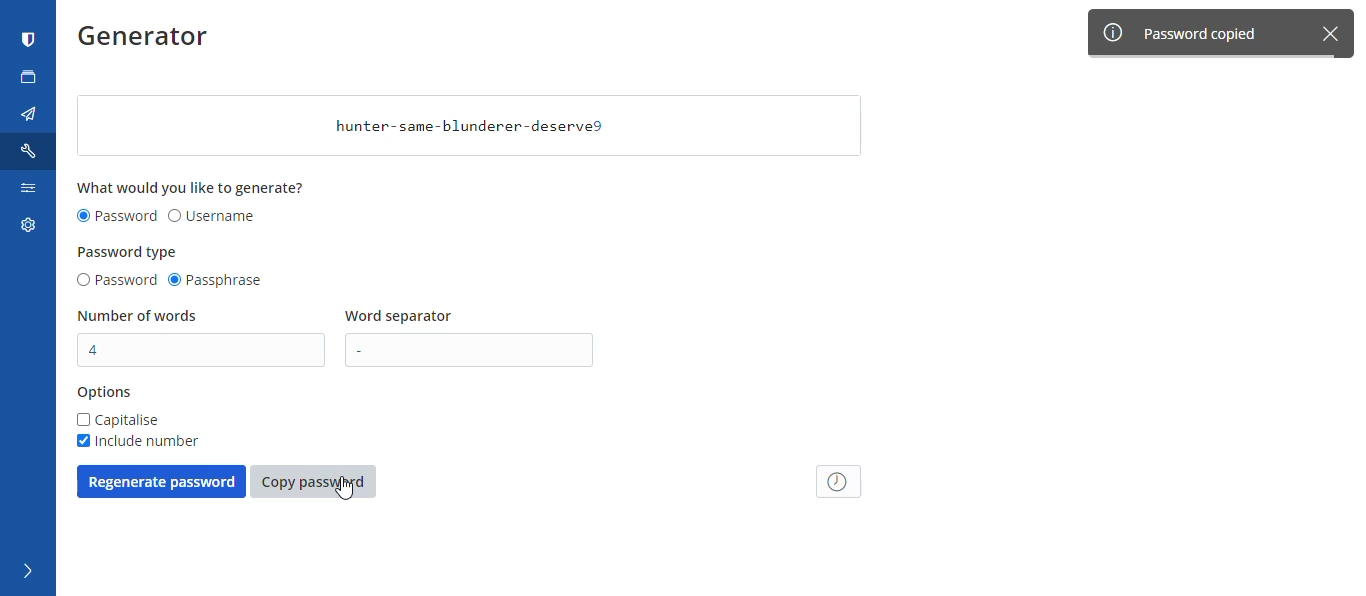 The width and height of the screenshot is (1366, 596). I want to click on options, so click(105, 393).